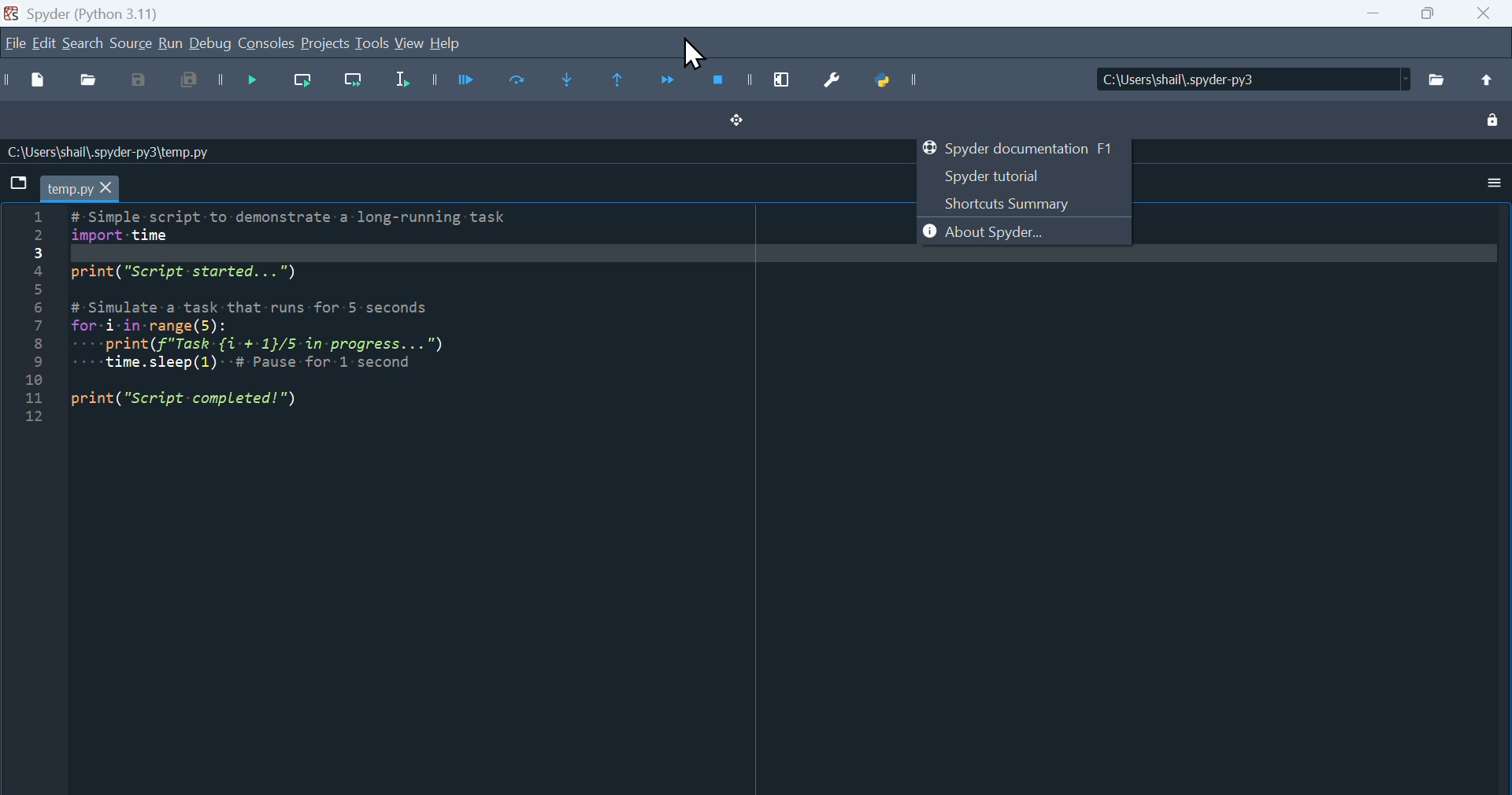 This screenshot has width=1512, height=795. Describe the element at coordinates (691, 53) in the screenshot. I see `Cursor` at that location.